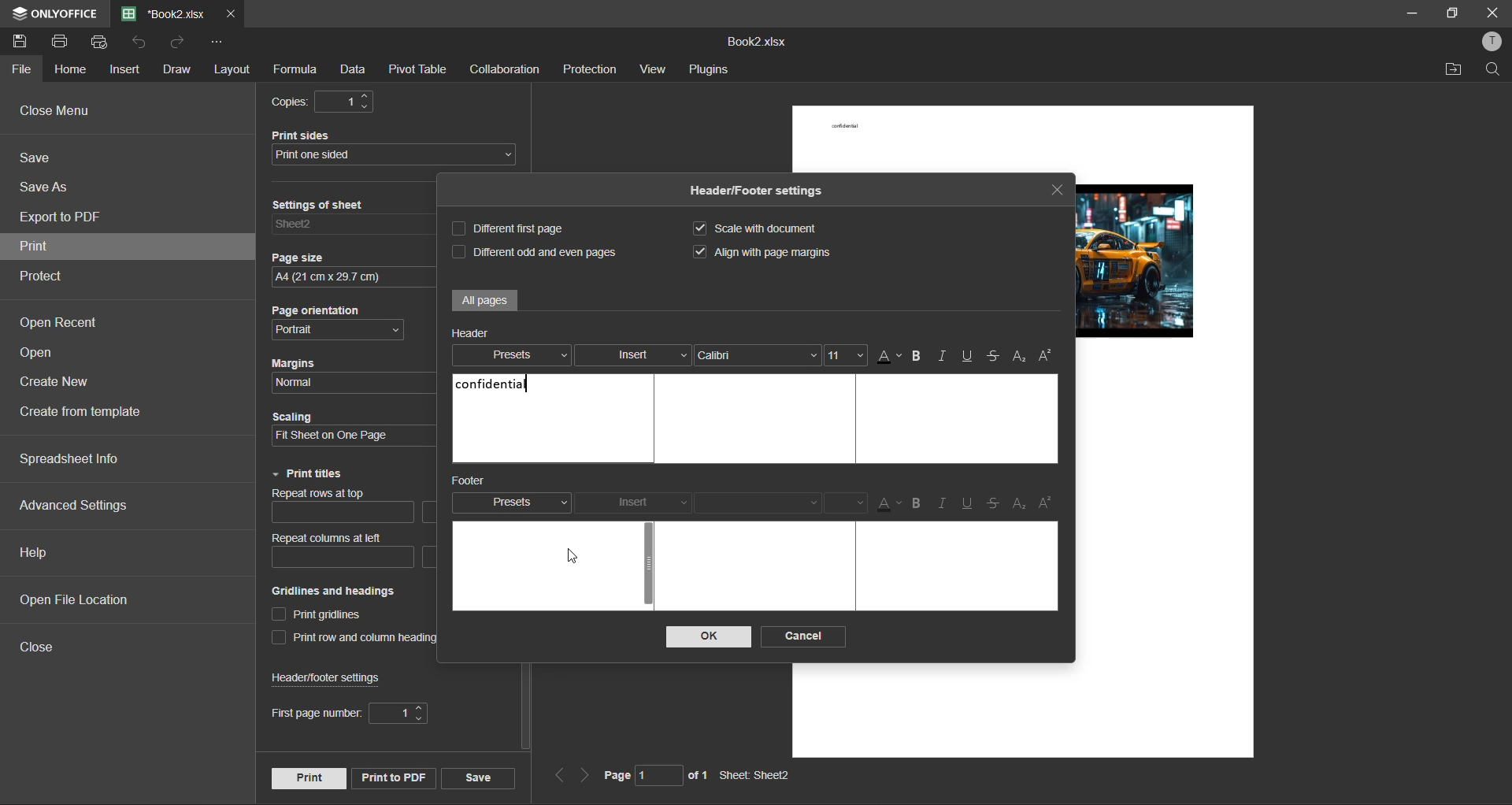 This screenshot has width=1512, height=805. Describe the element at coordinates (1021, 505) in the screenshot. I see `subscript` at that location.